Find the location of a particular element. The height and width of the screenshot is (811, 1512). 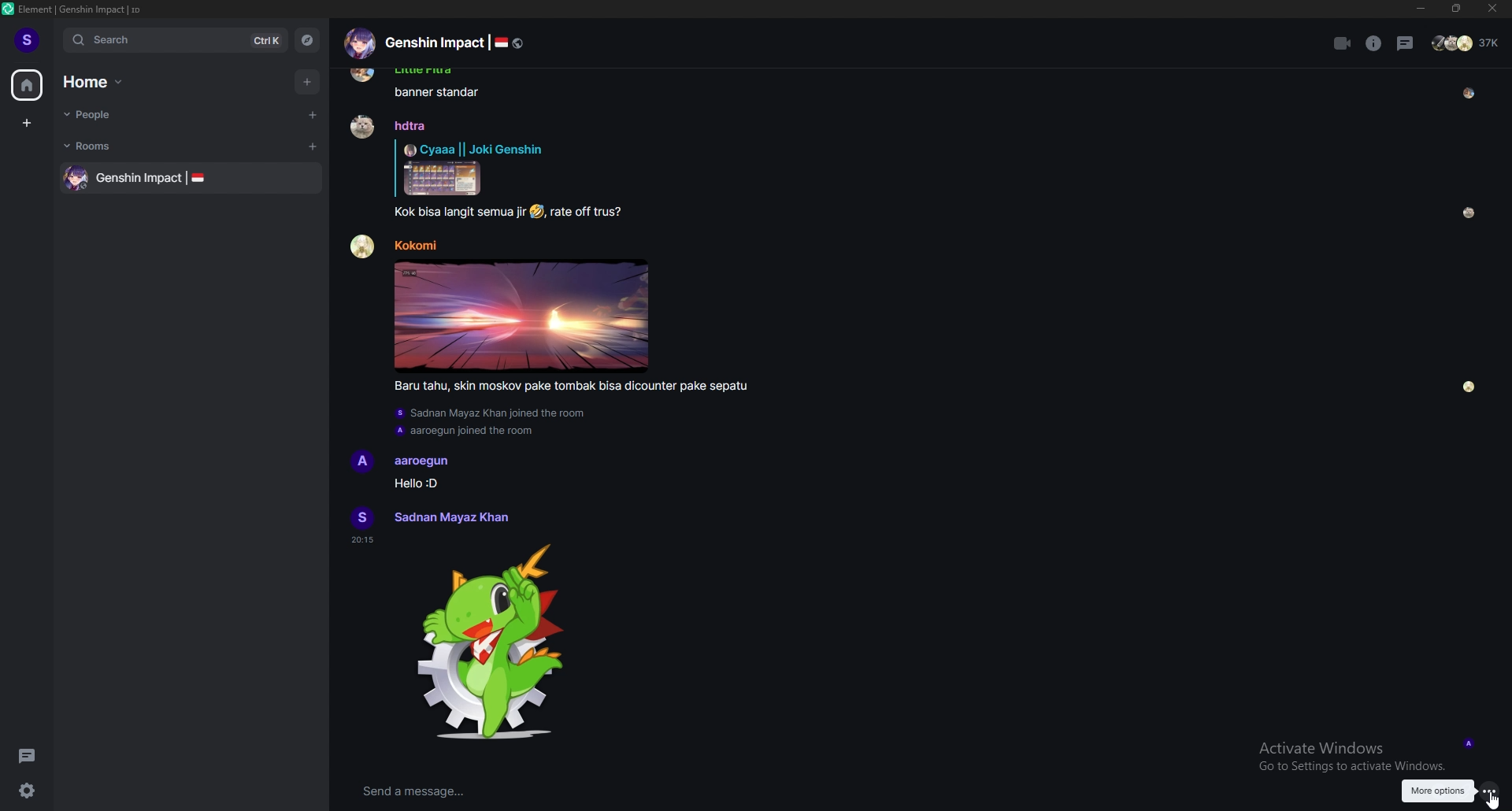

hdtra is located at coordinates (410, 125).